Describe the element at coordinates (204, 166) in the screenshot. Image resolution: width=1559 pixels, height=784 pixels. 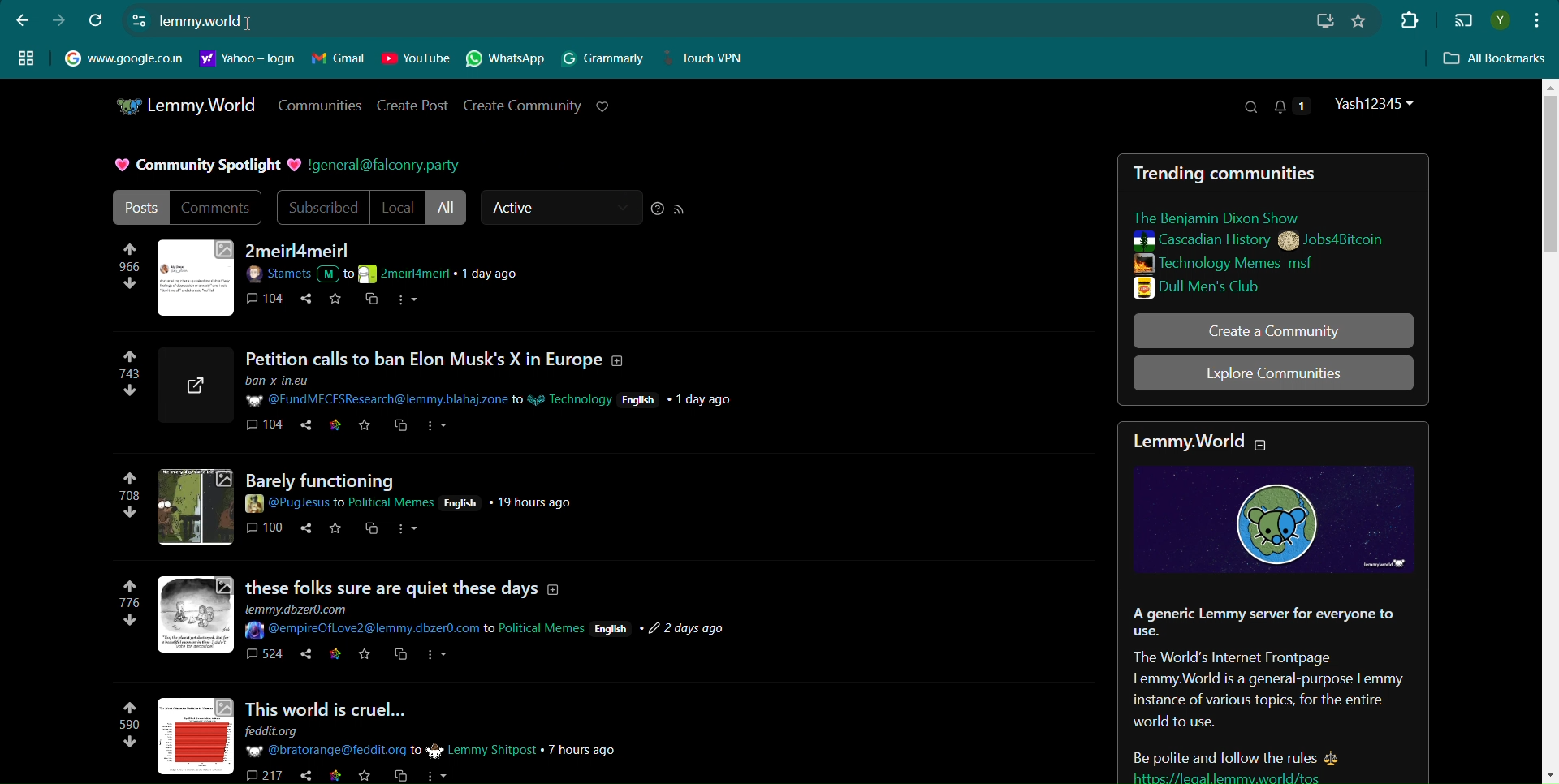
I see `Text` at that location.